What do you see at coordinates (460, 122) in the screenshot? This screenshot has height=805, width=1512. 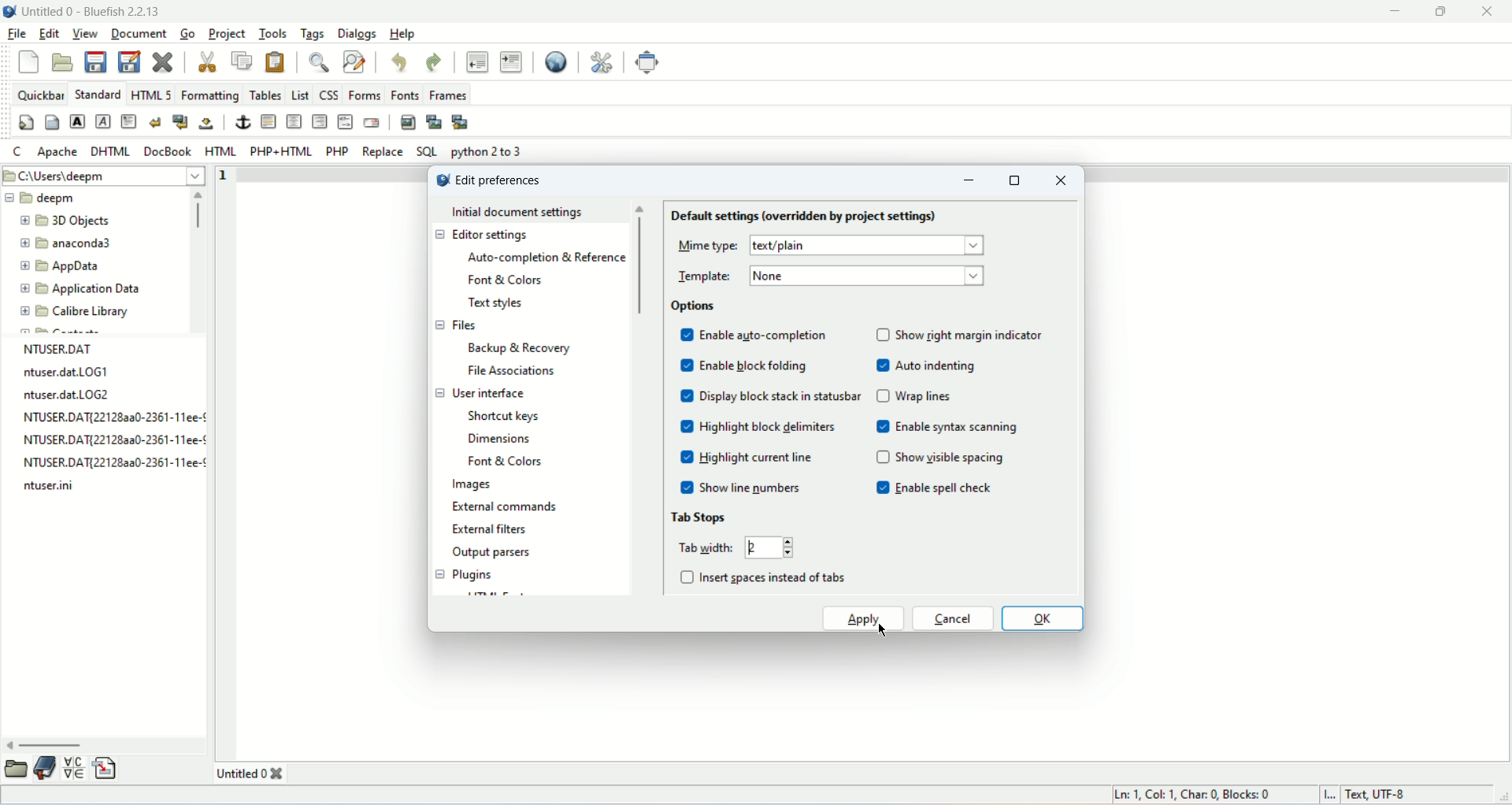 I see `Multi thumbnail` at bounding box center [460, 122].